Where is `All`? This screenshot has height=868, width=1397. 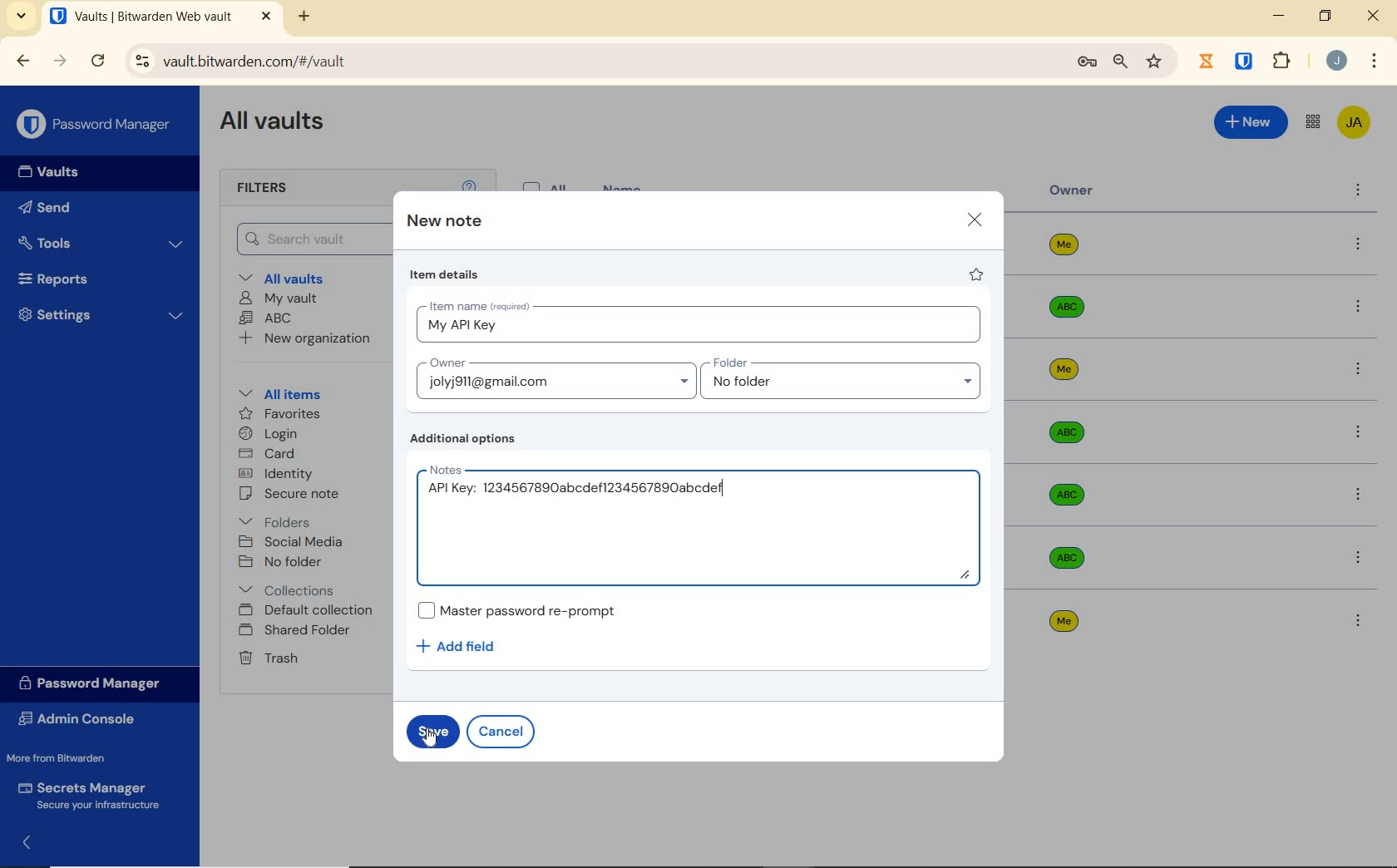
All is located at coordinates (548, 184).